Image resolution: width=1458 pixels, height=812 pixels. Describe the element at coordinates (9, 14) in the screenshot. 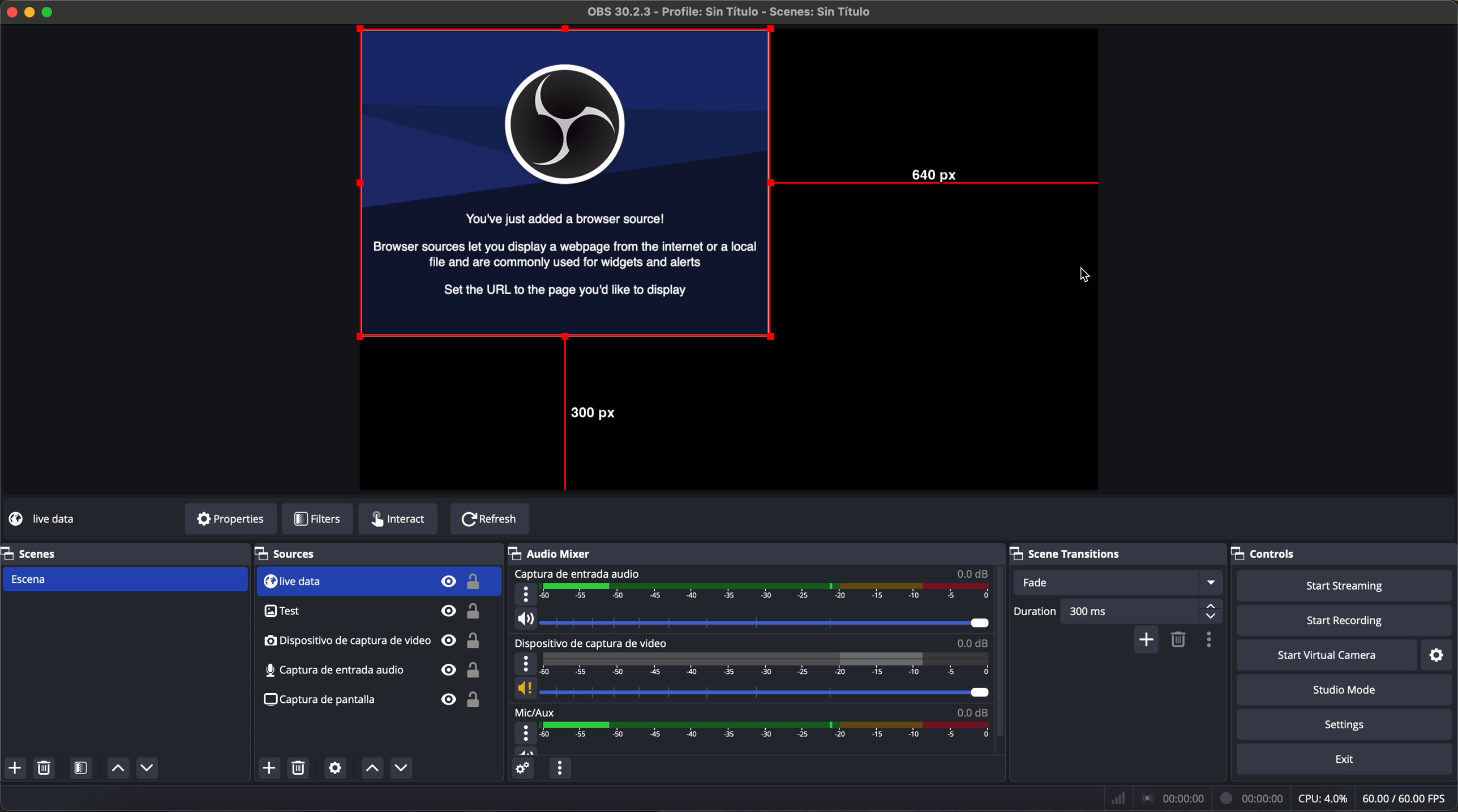

I see `close program` at that location.